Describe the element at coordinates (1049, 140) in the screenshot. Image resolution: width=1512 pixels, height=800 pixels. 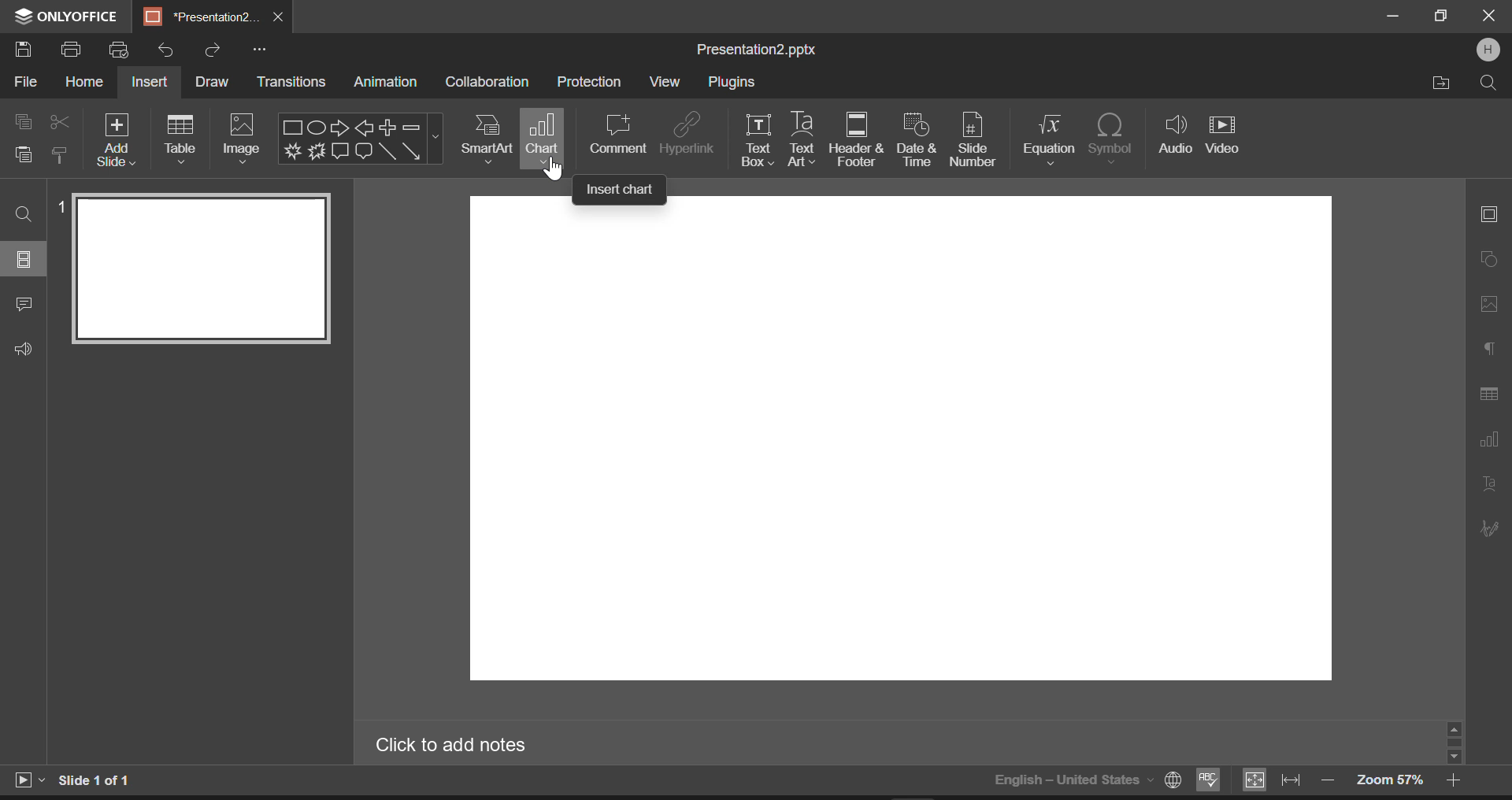
I see `Equation` at that location.